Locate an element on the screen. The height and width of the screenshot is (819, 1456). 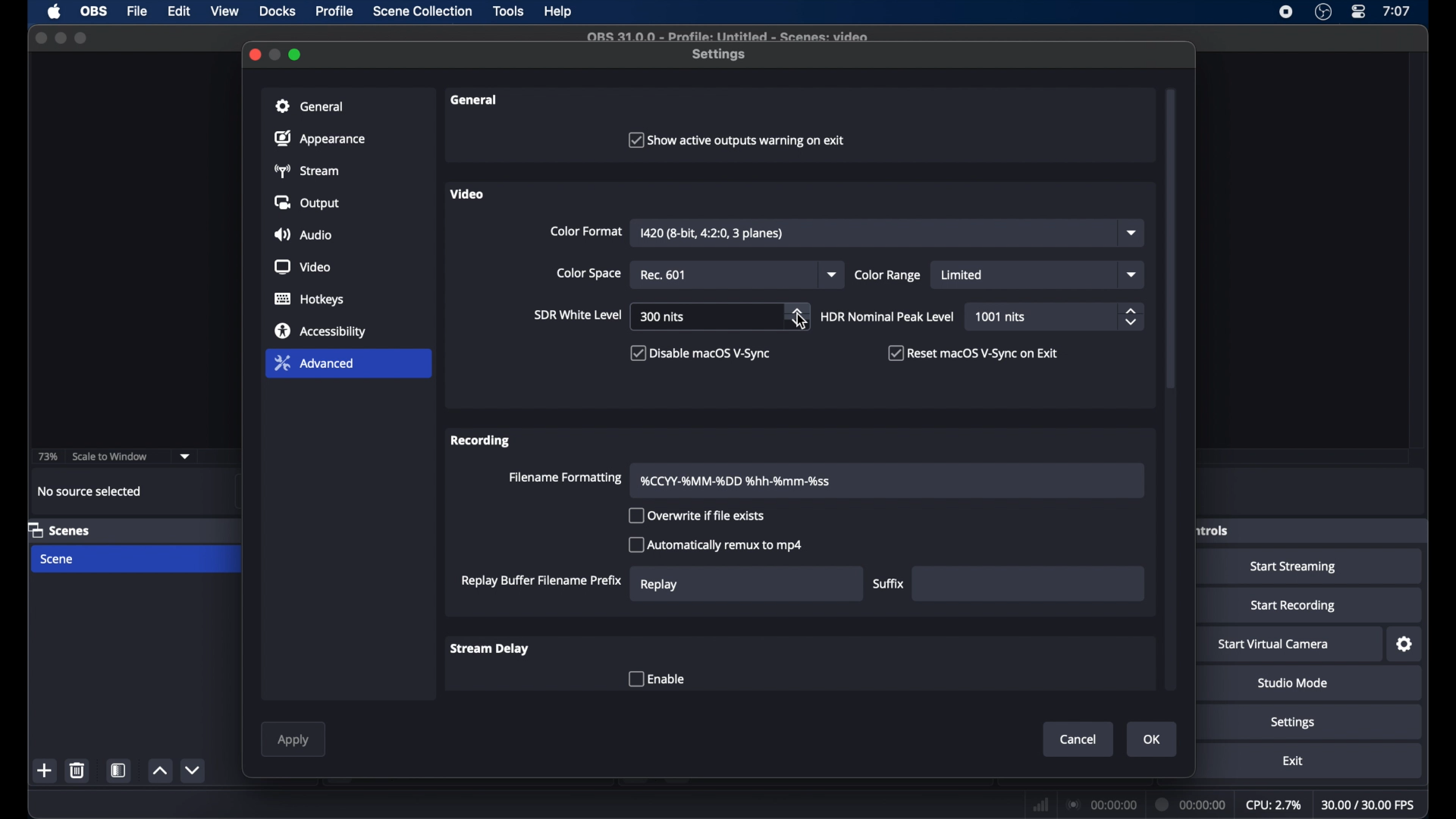
video is located at coordinates (303, 267).